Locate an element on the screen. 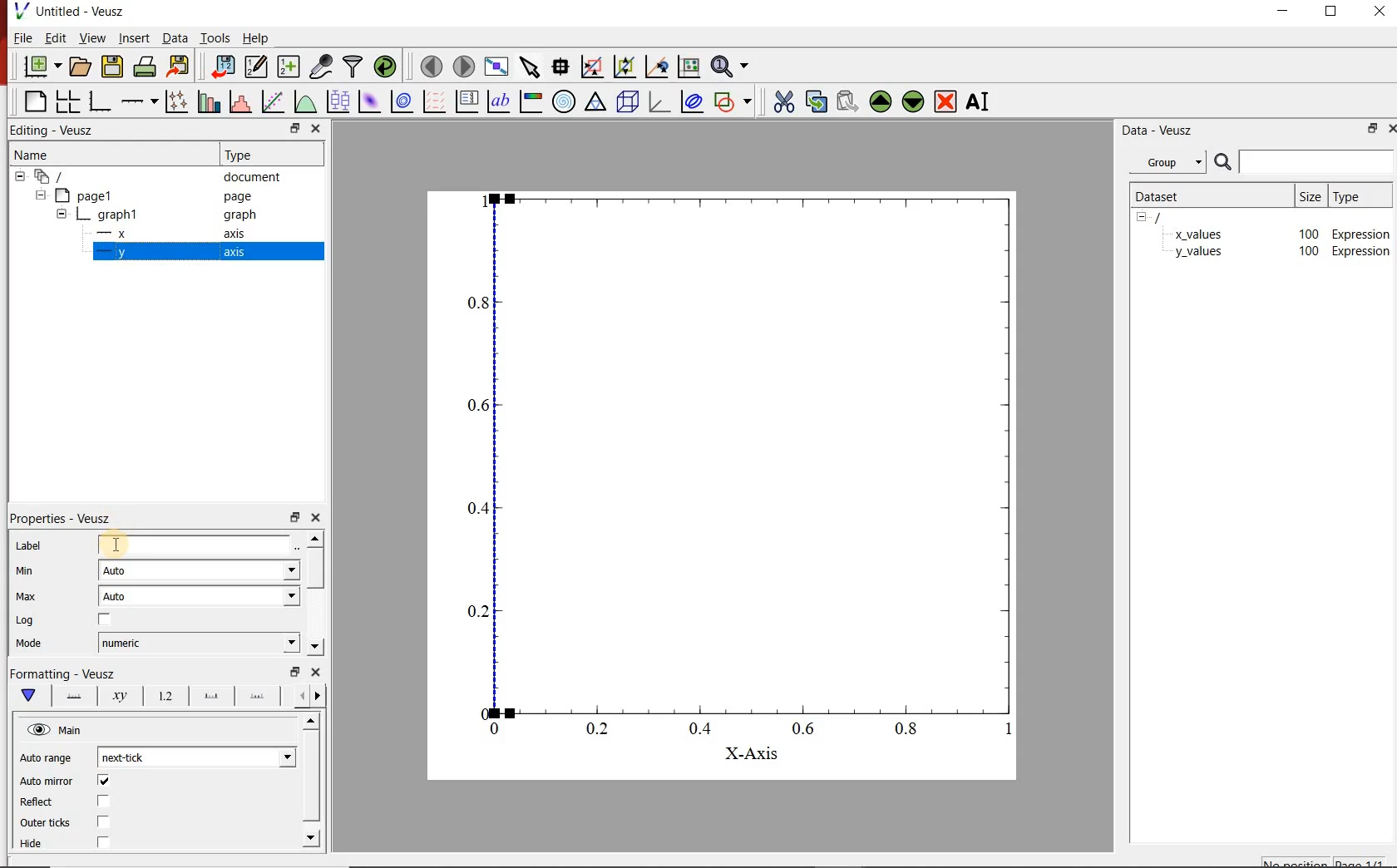  data is located at coordinates (175, 37).